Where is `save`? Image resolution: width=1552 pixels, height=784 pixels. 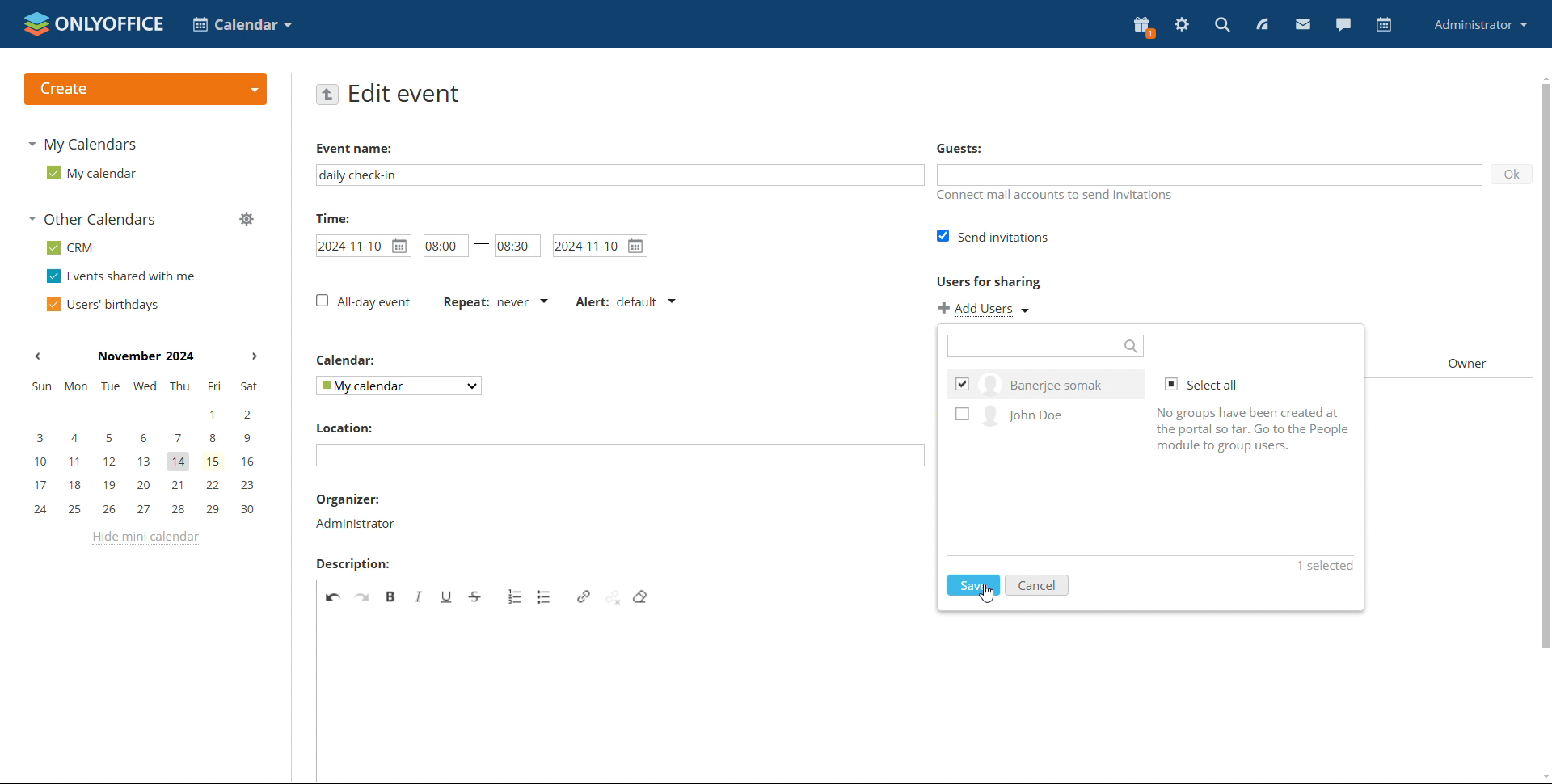 save is located at coordinates (975, 584).